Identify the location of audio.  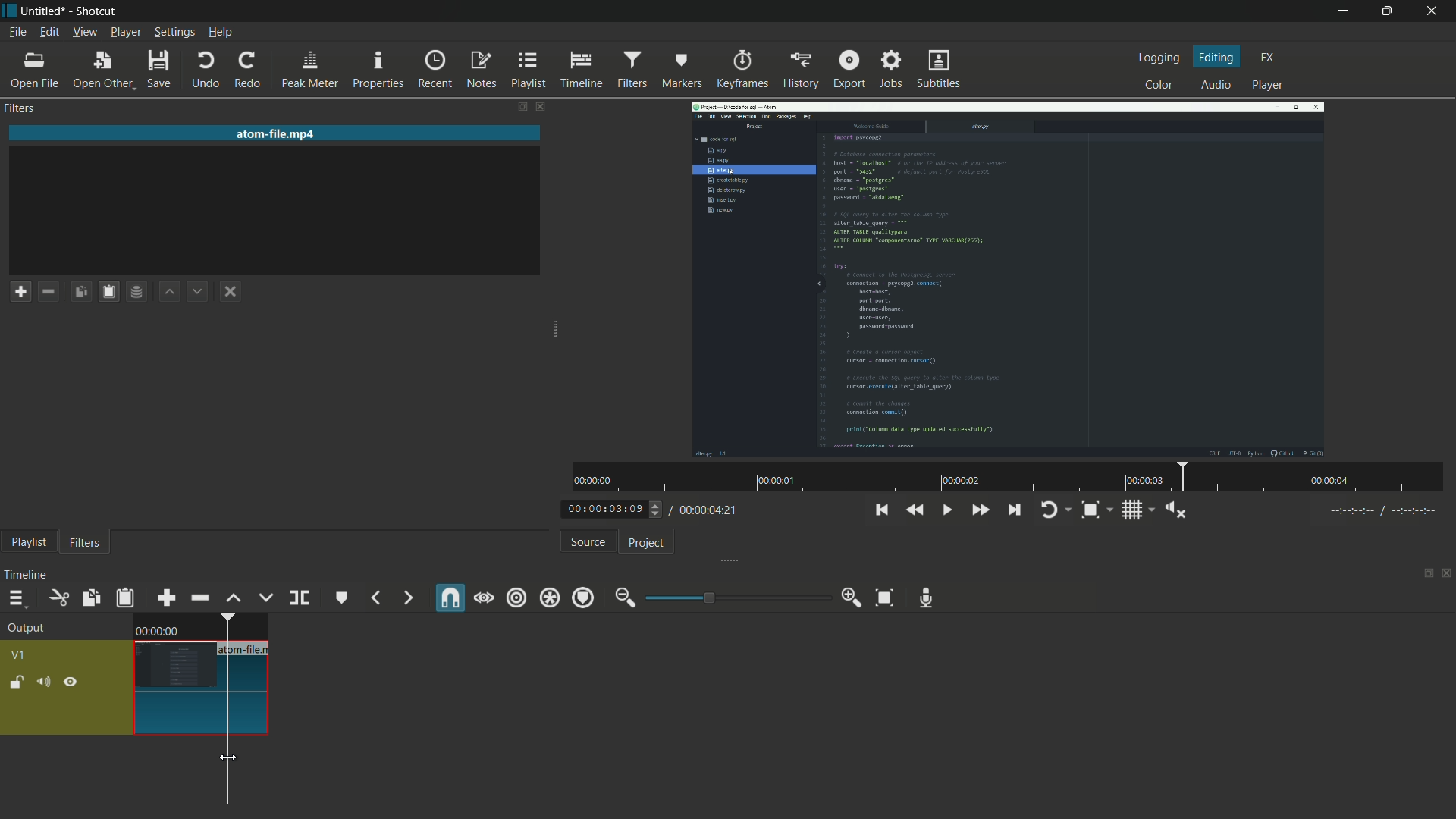
(1217, 84).